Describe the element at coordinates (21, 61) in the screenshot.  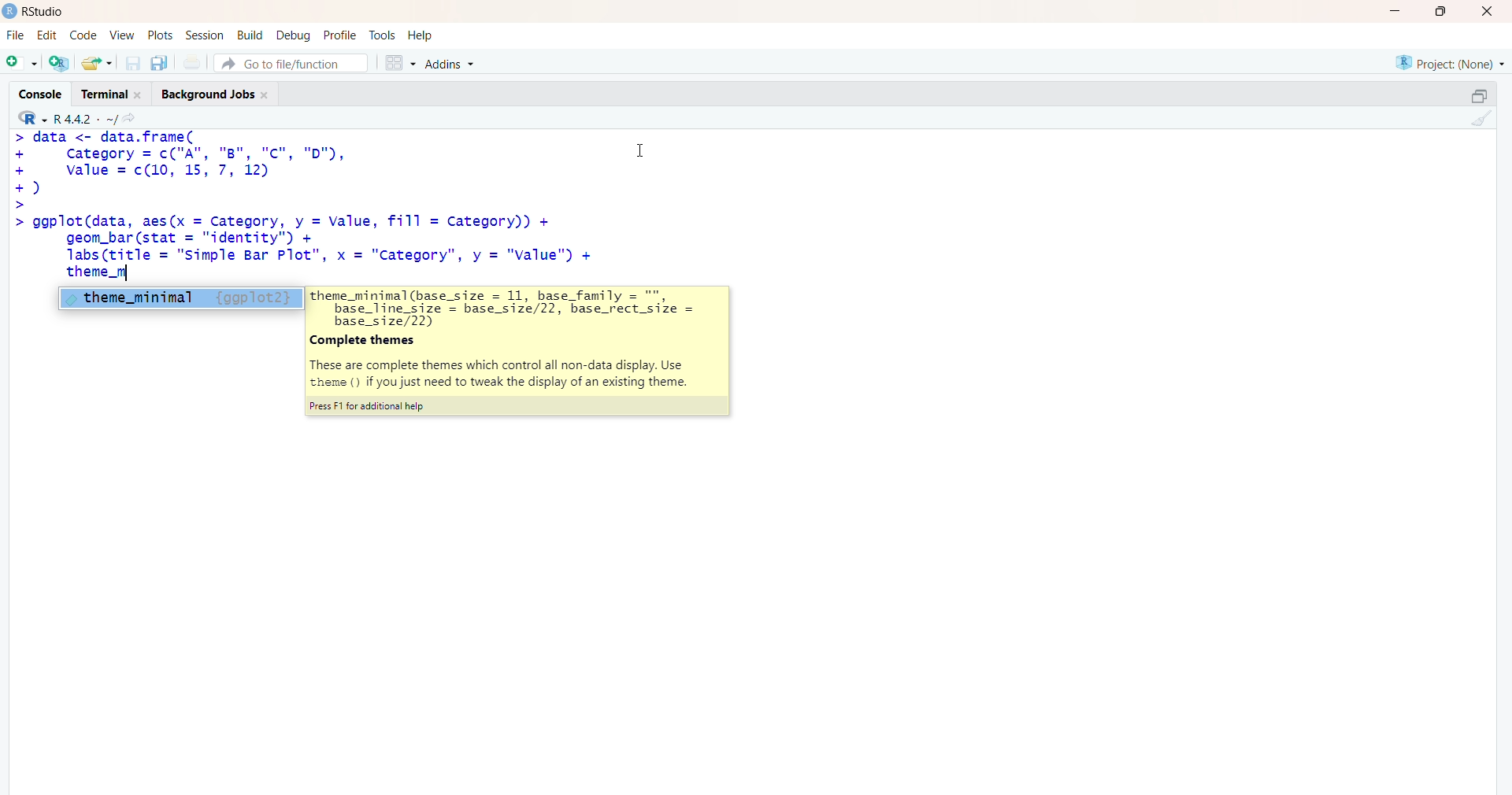
I see `new file` at that location.